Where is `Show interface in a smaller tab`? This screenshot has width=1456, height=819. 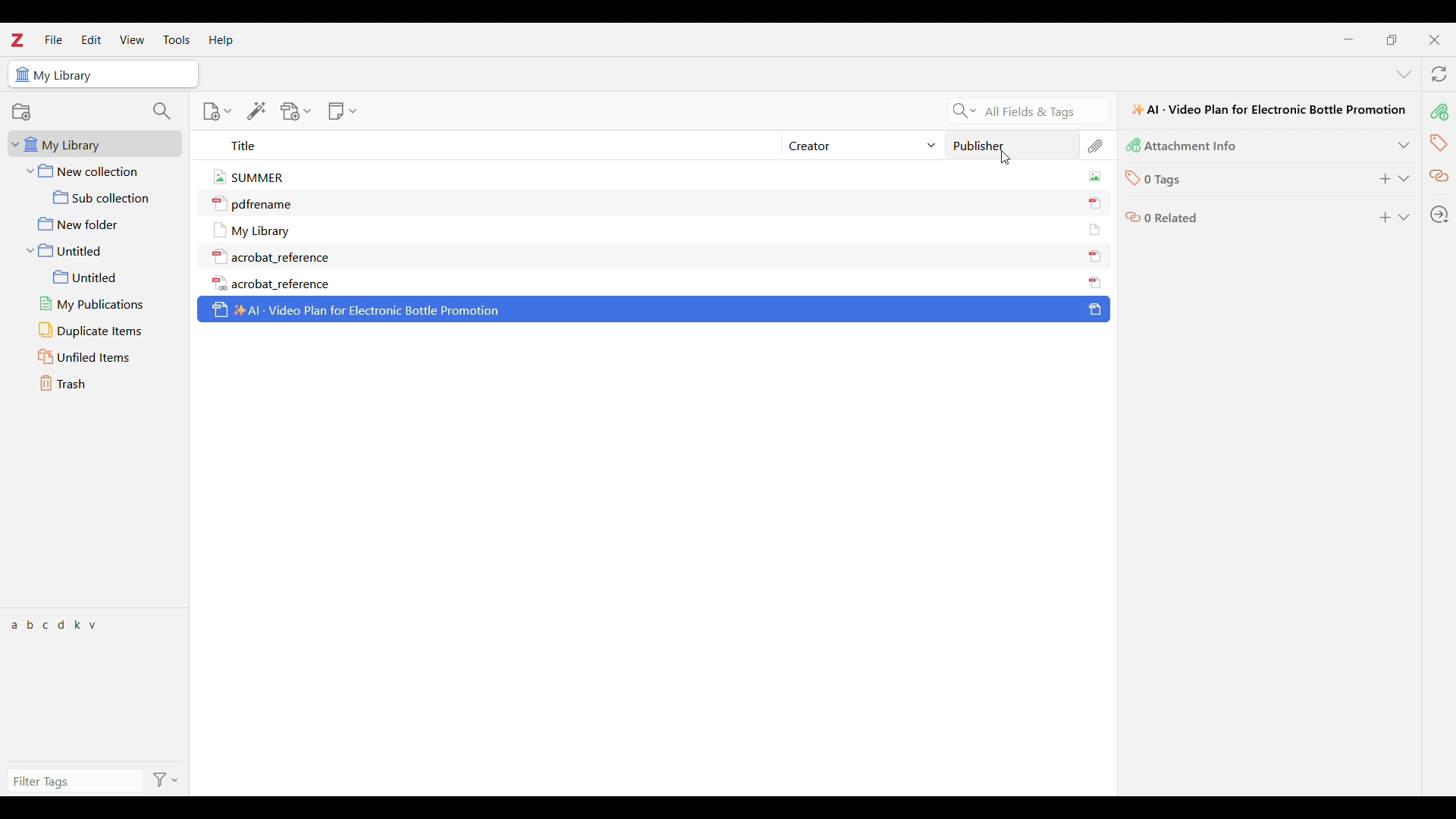
Show interface in a smaller tab is located at coordinates (1392, 39).